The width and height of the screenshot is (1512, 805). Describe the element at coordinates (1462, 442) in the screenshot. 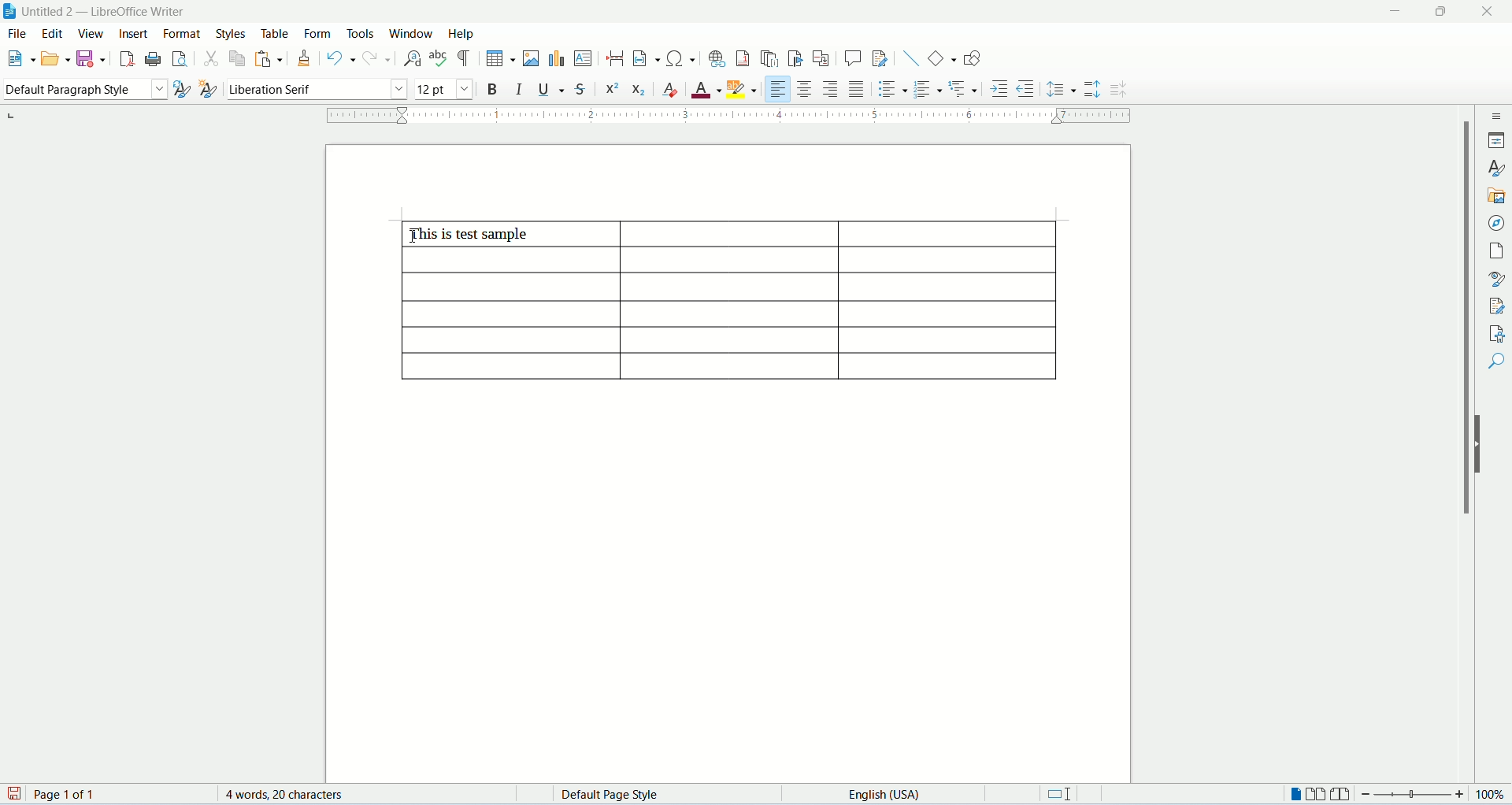

I see `scroll bar` at that location.